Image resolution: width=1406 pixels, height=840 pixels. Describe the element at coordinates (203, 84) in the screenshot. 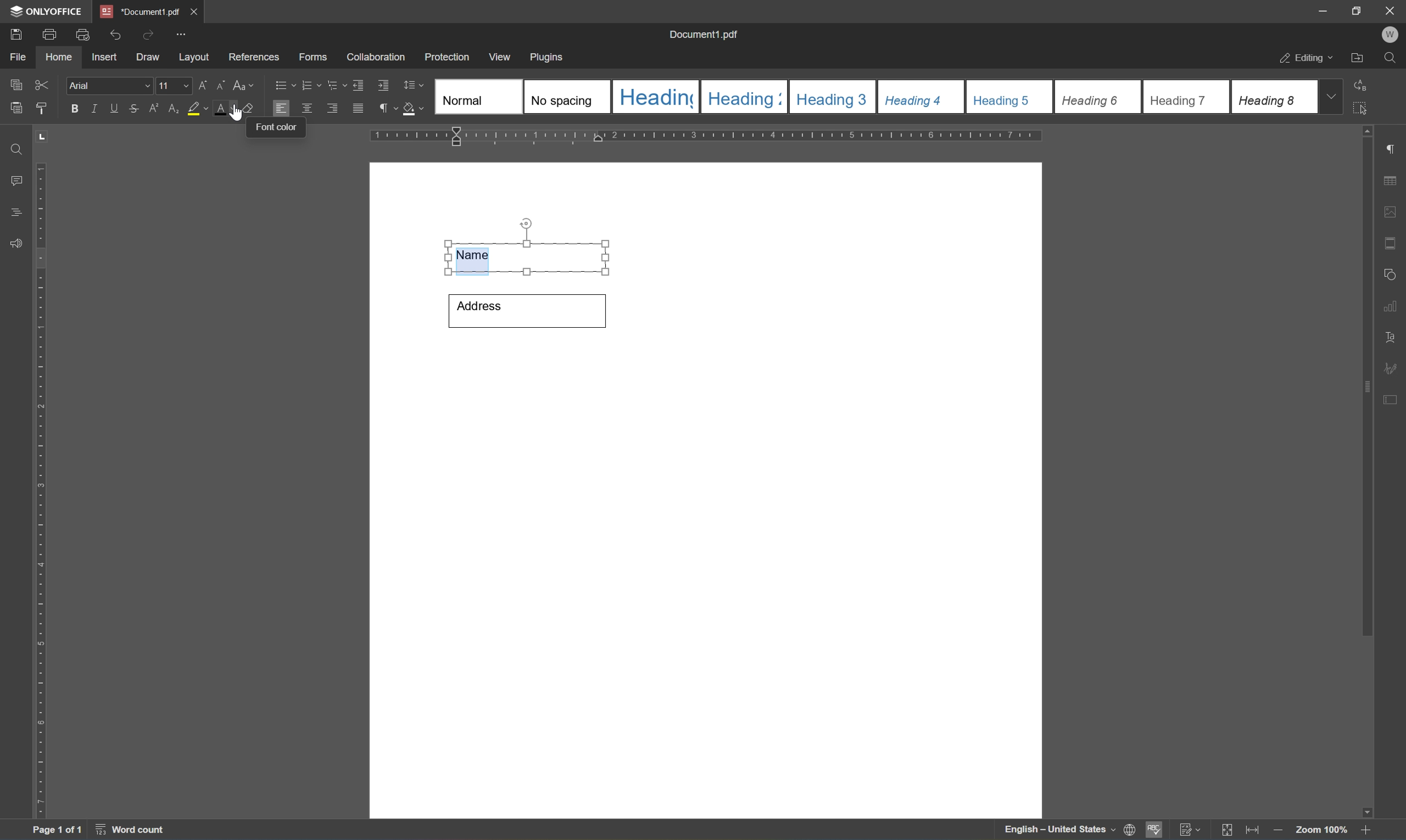

I see `increment font size` at that location.